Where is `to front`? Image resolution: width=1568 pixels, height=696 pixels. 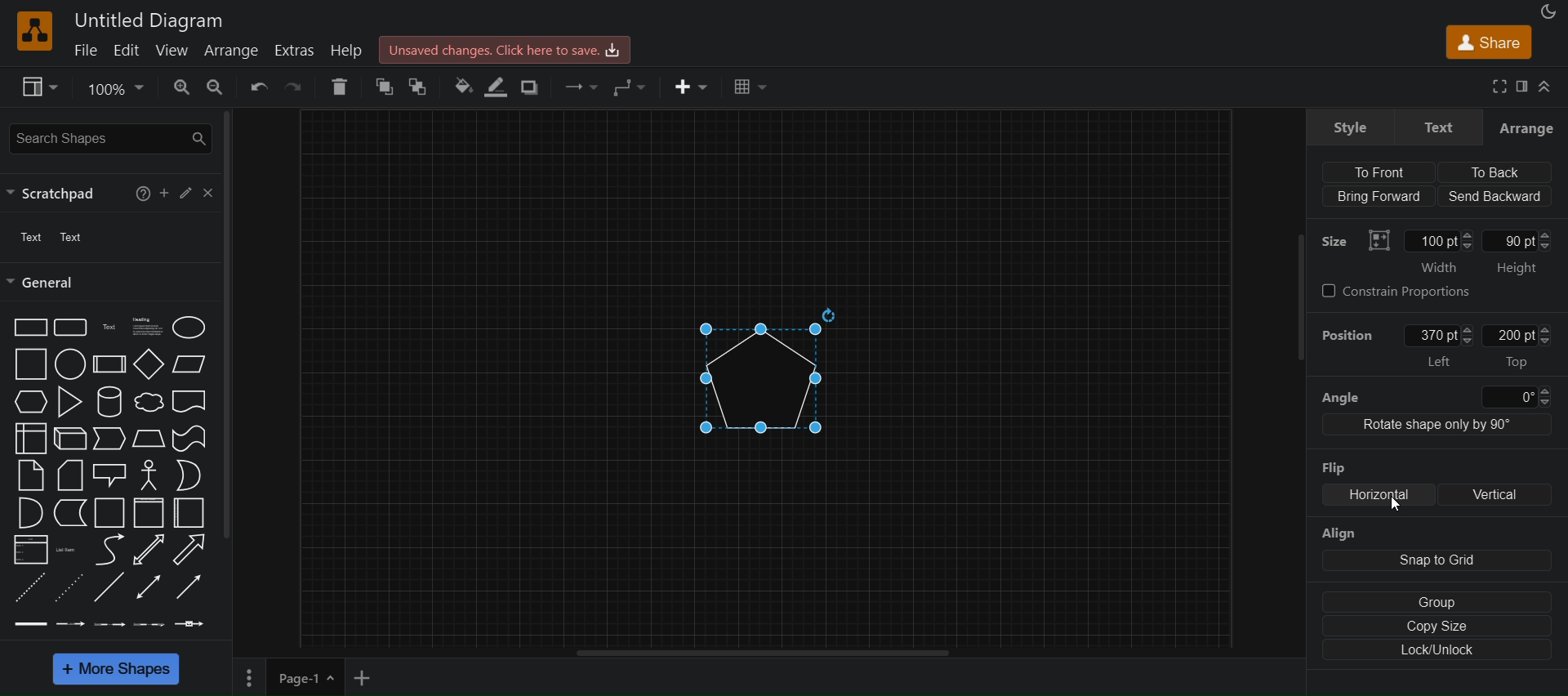
to front is located at coordinates (385, 85).